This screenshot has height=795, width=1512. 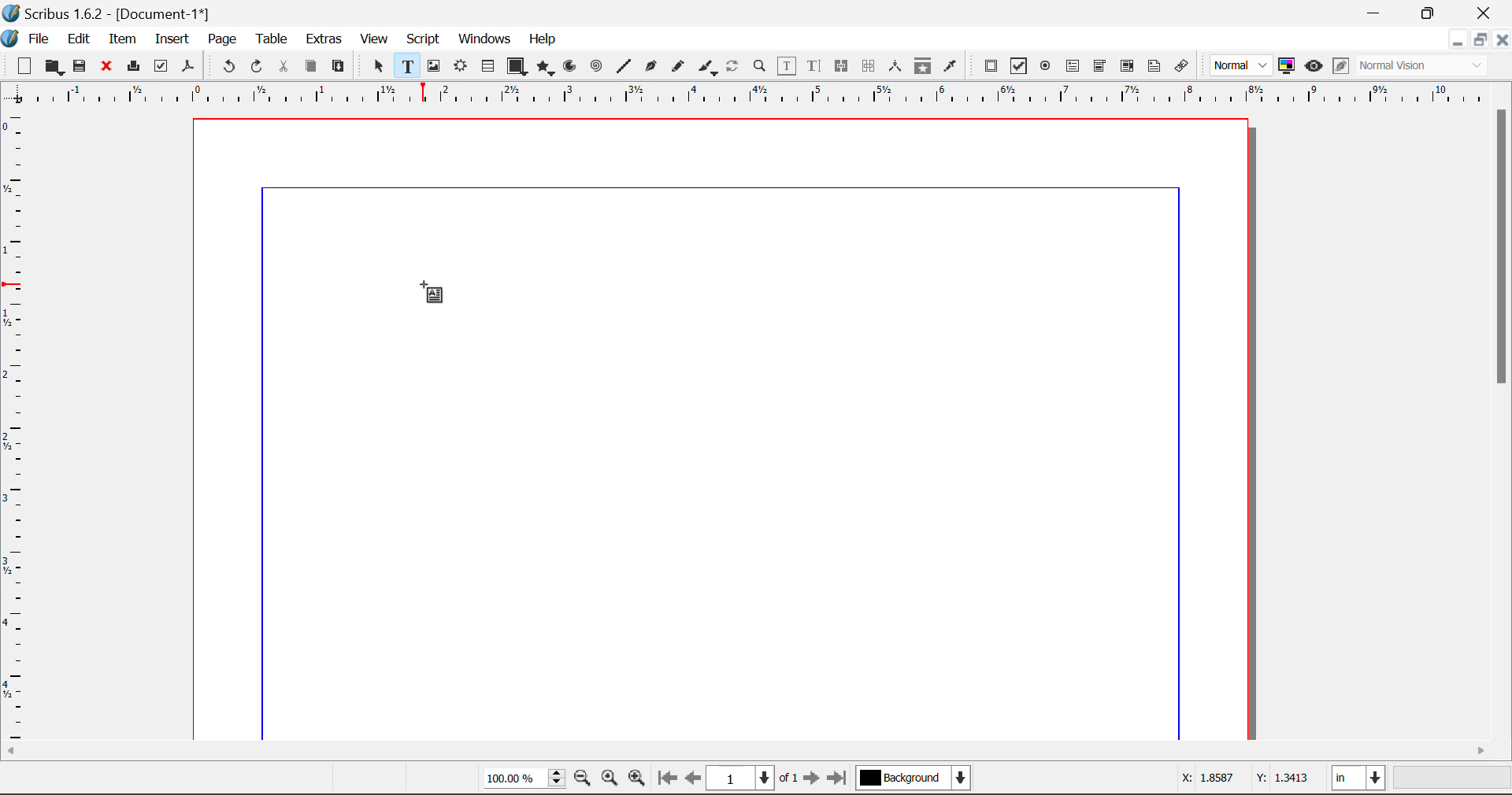 I want to click on Copy Item Properties, so click(x=922, y=66).